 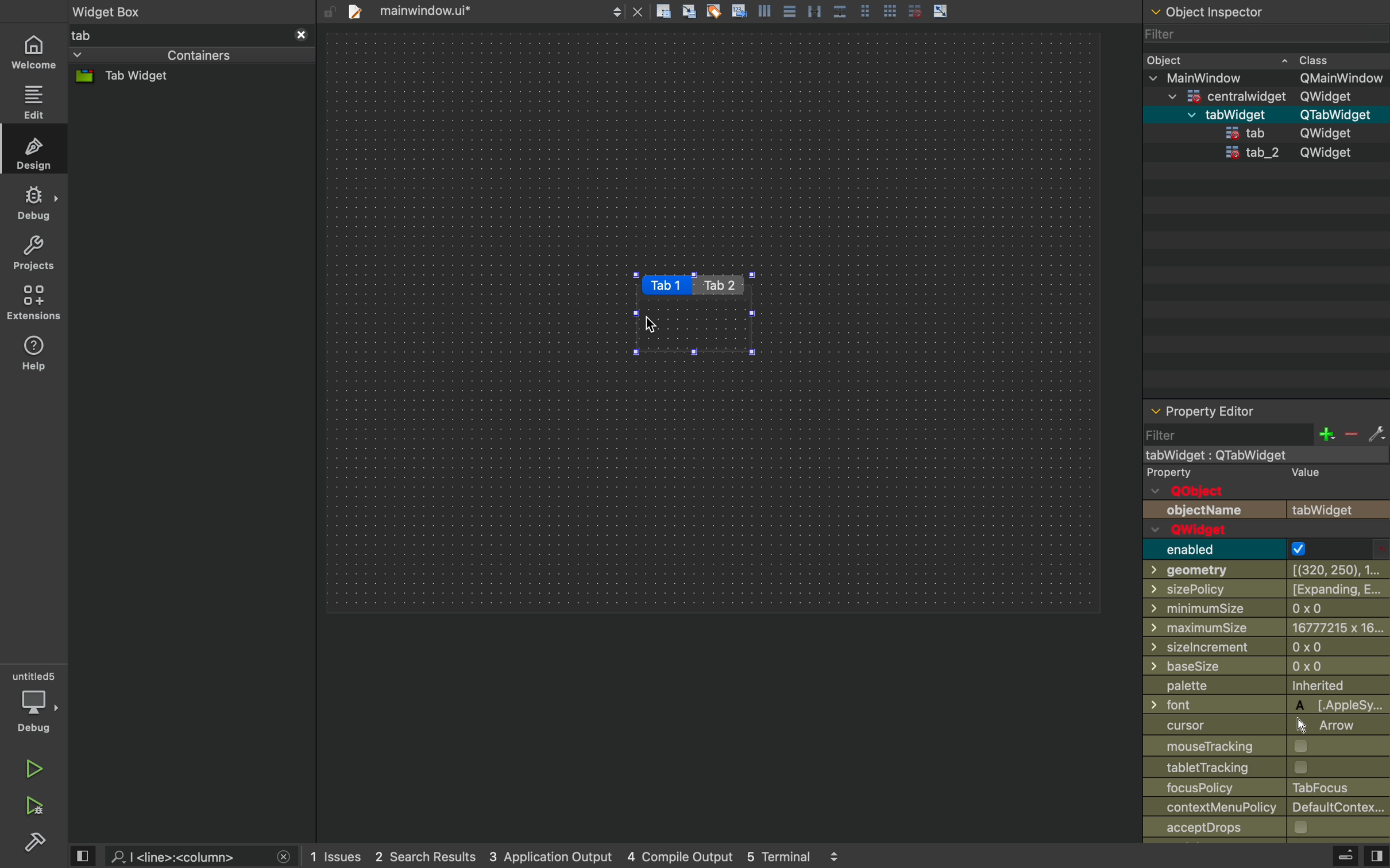 I want to click on build, so click(x=34, y=845).